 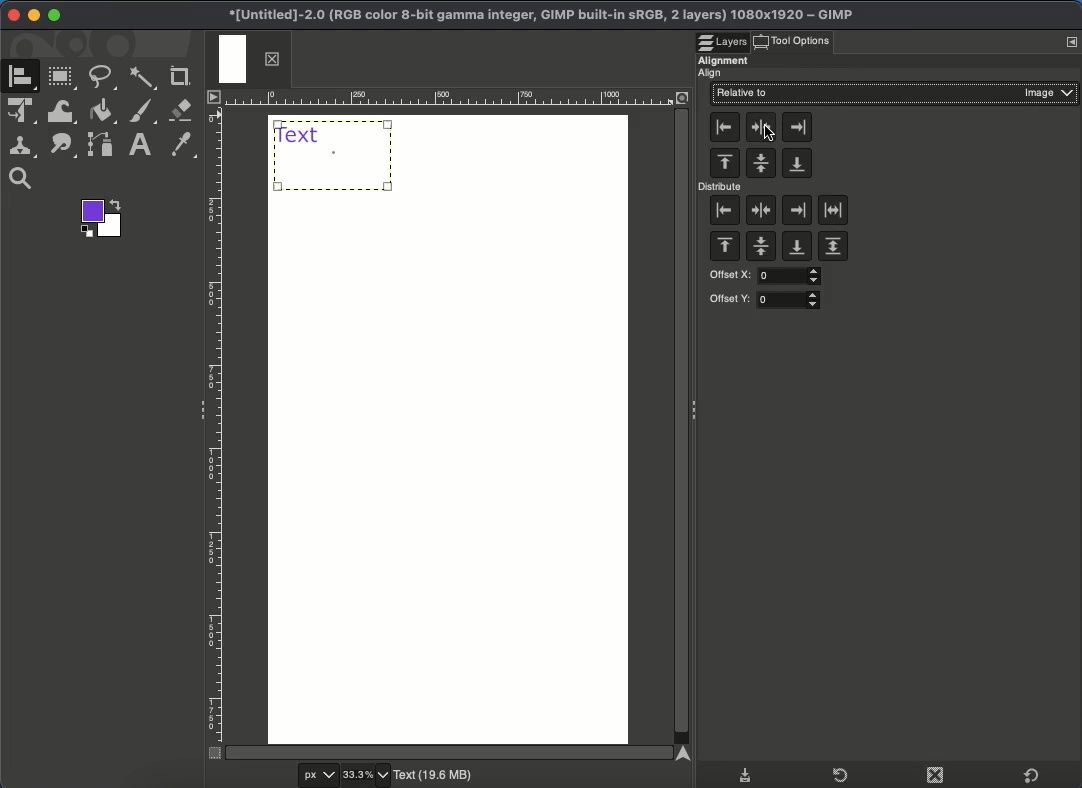 I want to click on Text(19.6 MB), so click(x=436, y=777).